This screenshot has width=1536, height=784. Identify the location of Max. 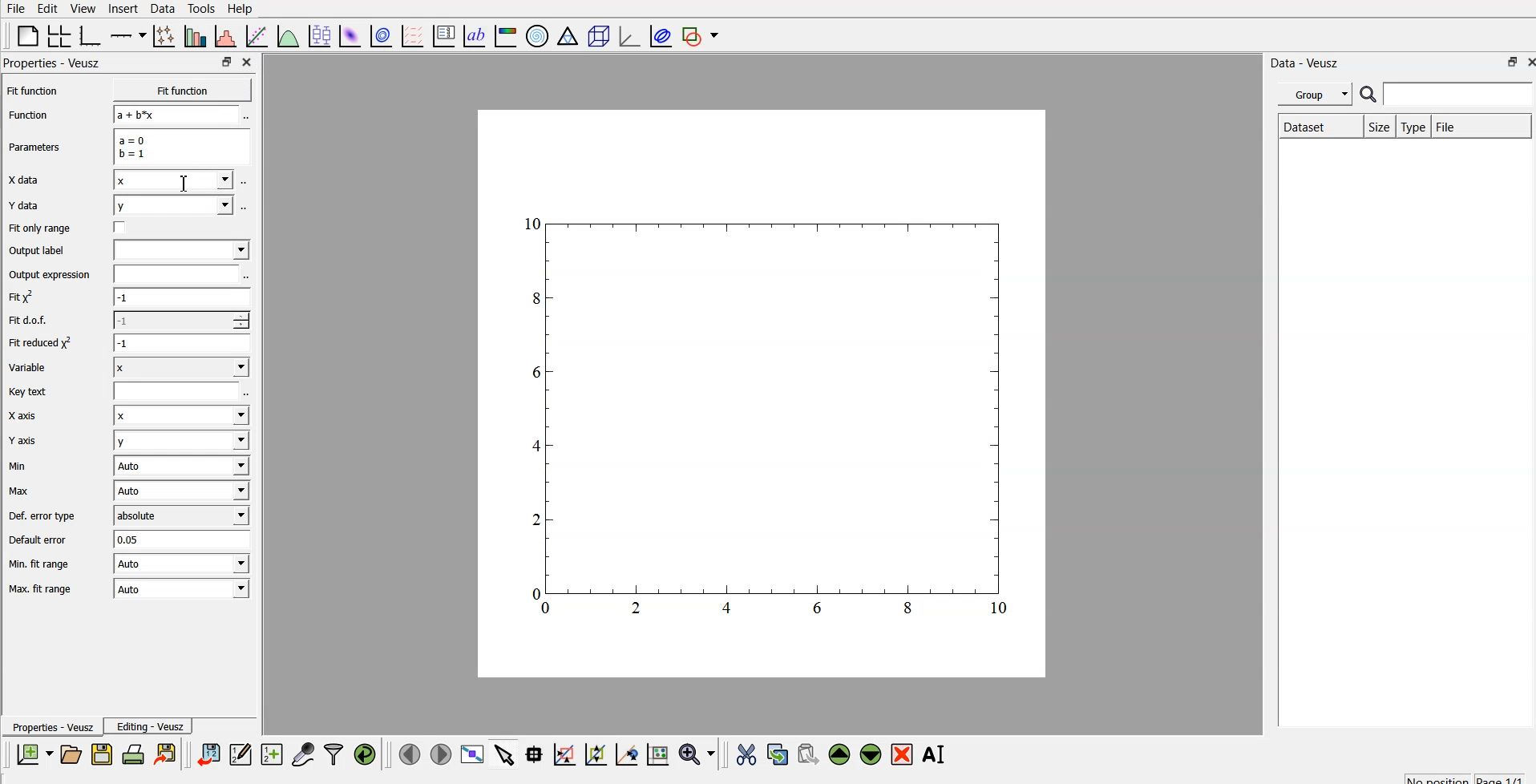
(39, 491).